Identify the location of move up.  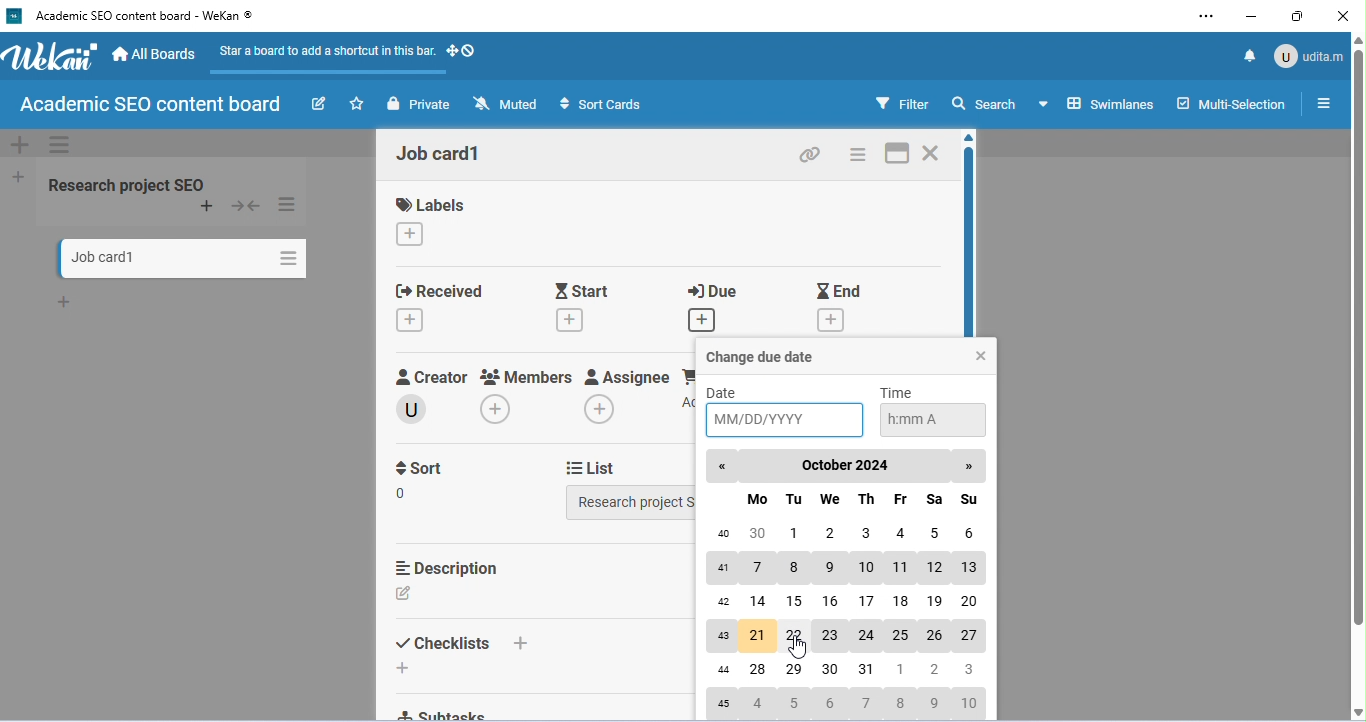
(1357, 40).